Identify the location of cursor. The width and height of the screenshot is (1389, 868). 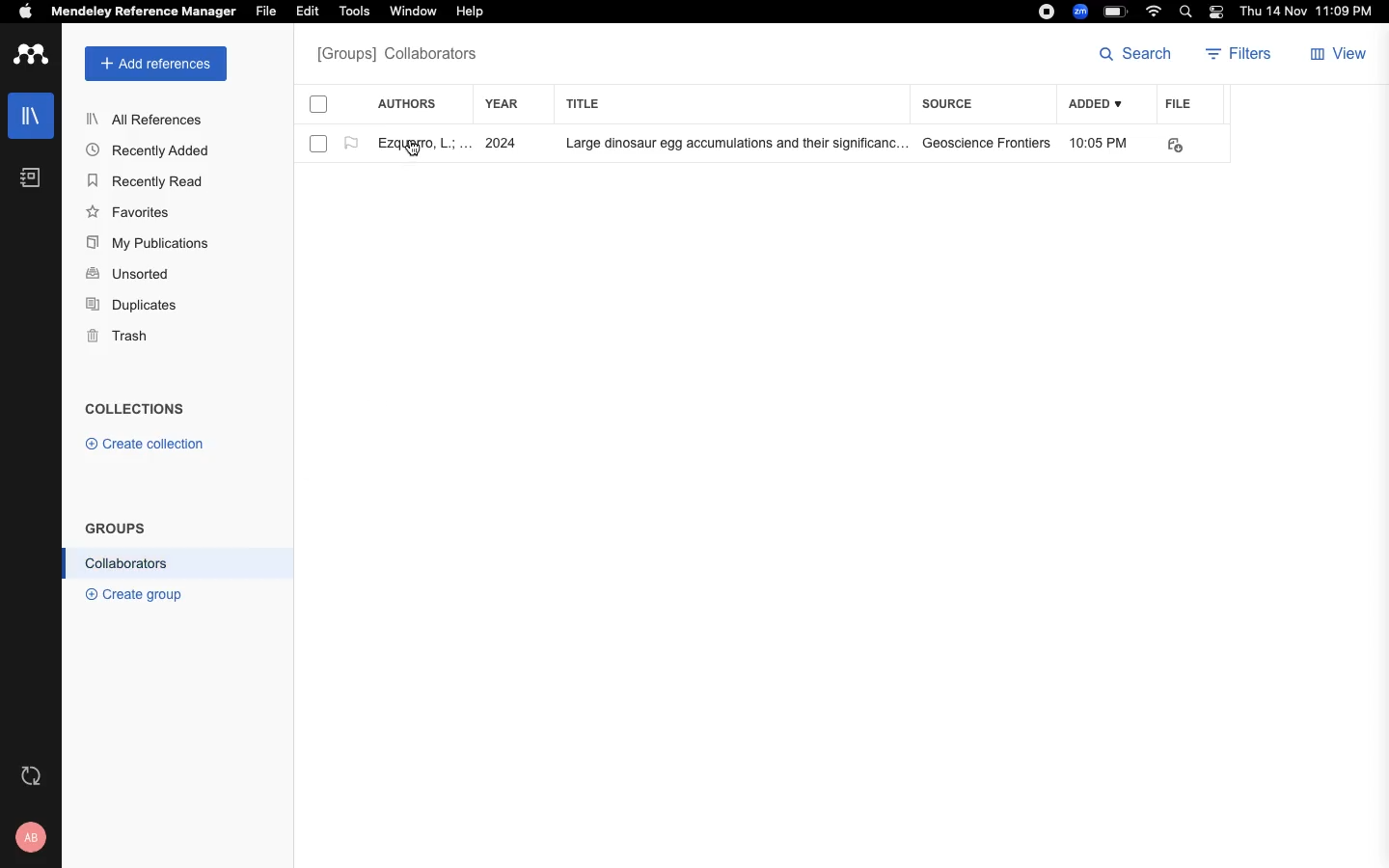
(415, 152).